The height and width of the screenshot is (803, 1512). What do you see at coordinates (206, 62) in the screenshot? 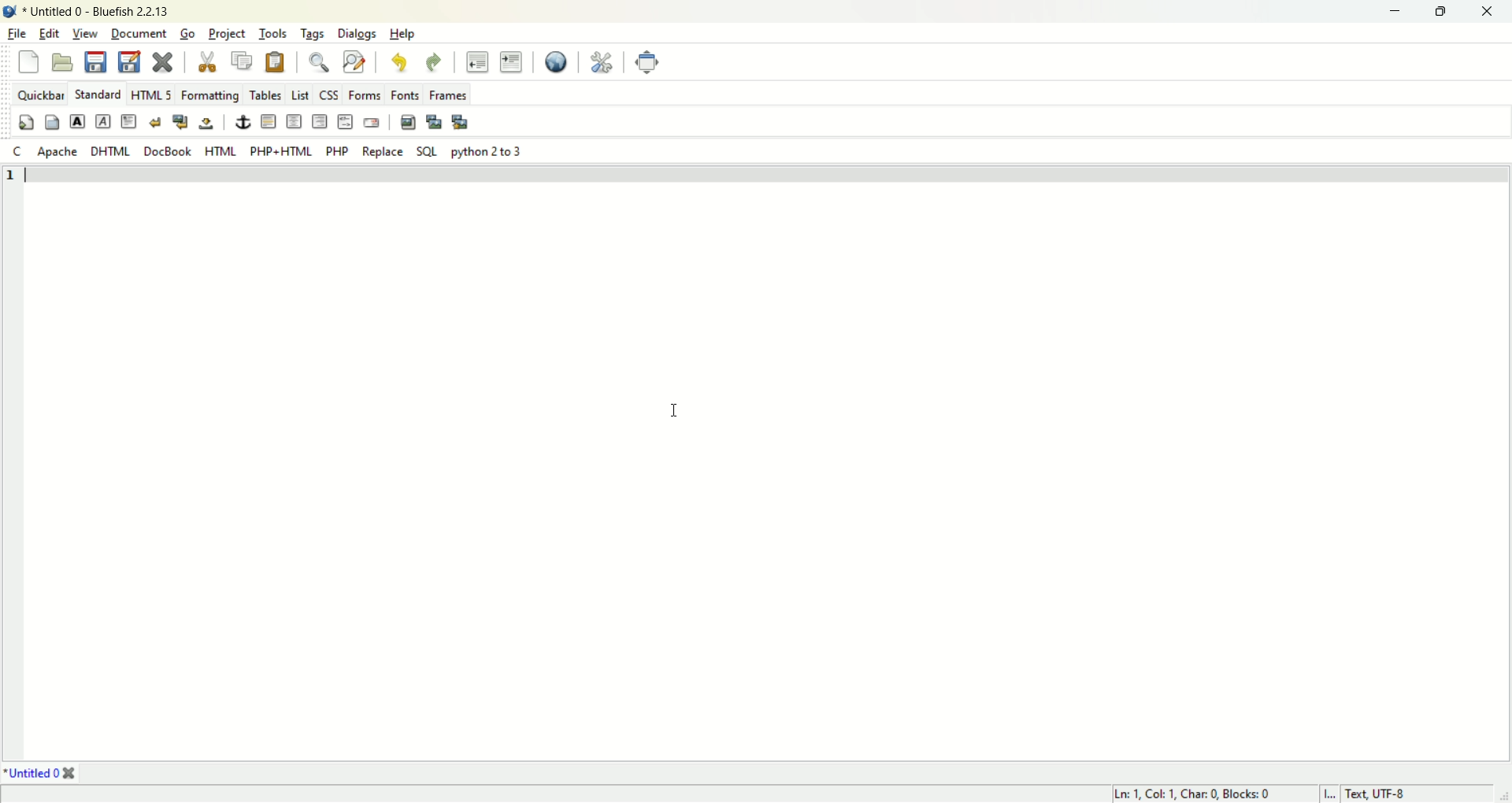
I see `cut` at bounding box center [206, 62].